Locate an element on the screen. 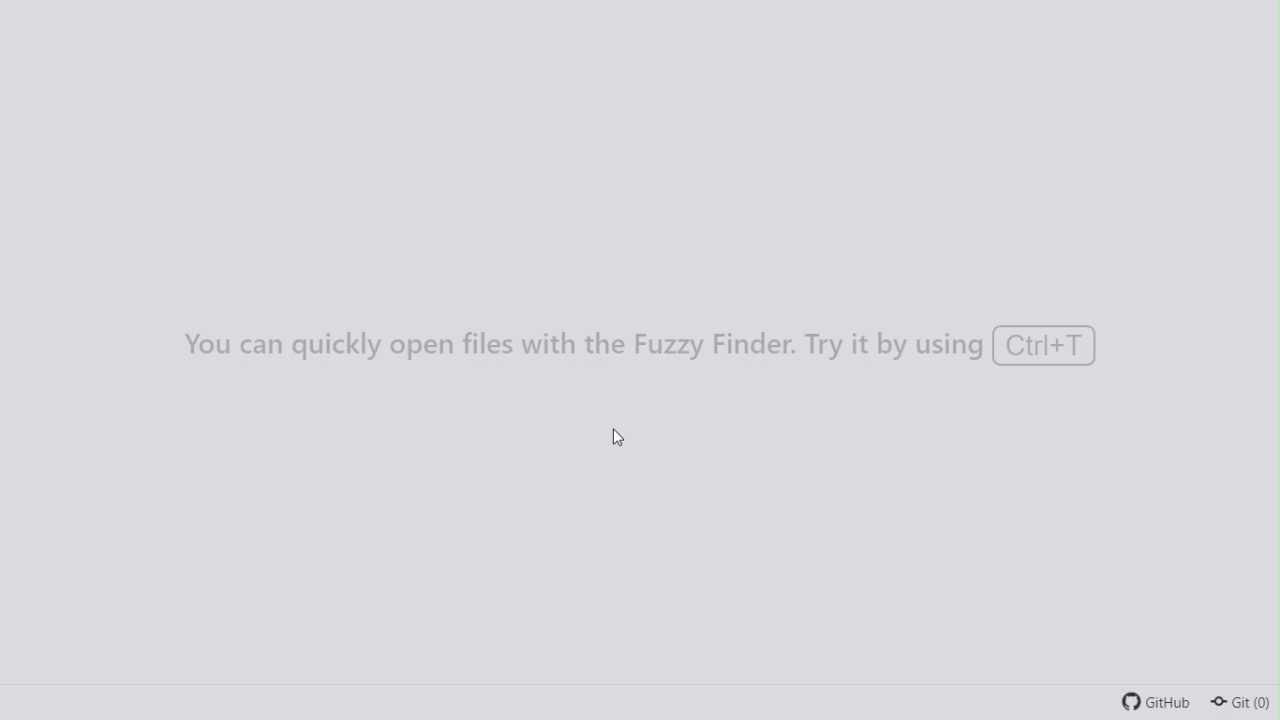 This screenshot has height=720, width=1280. Git is located at coordinates (1242, 704).